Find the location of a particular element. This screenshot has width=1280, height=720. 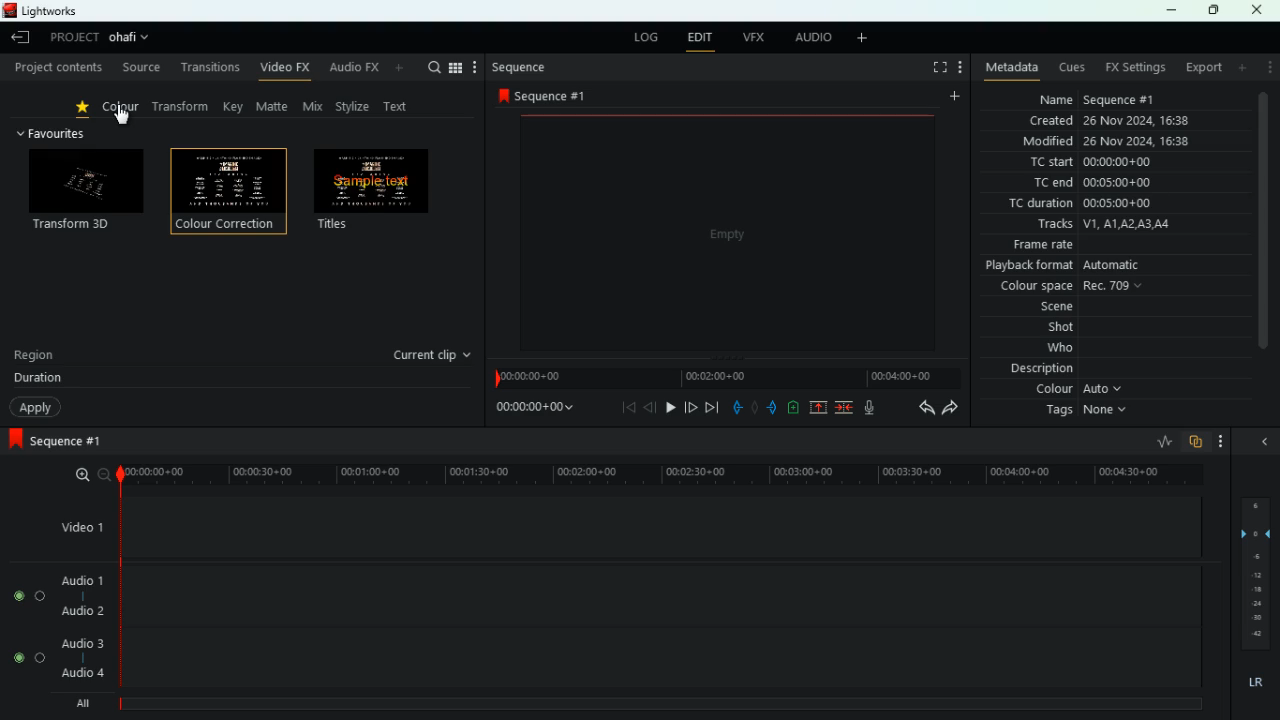

project is located at coordinates (70, 38).